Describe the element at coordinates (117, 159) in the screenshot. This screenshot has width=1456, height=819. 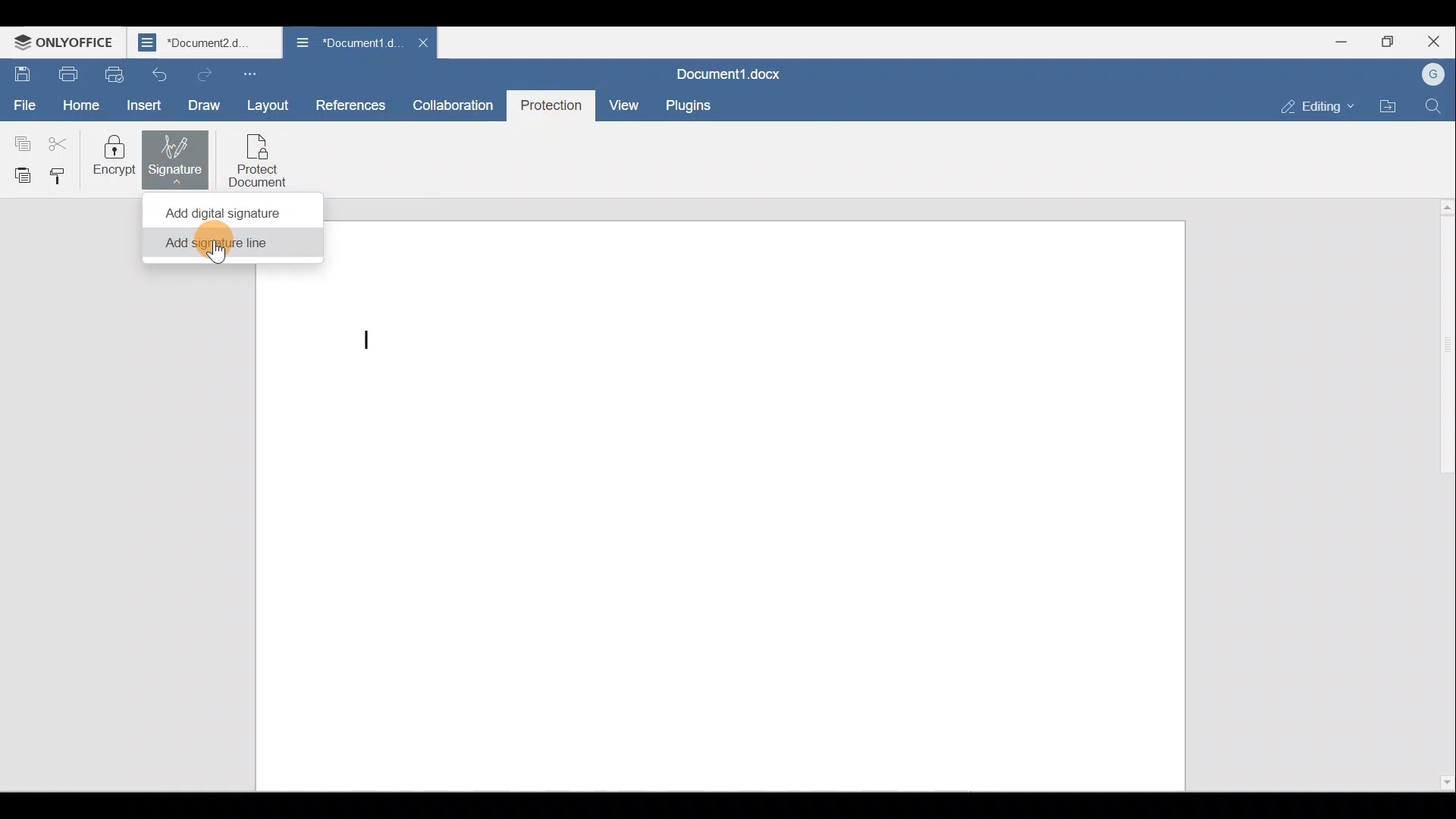
I see `Encrypt` at that location.